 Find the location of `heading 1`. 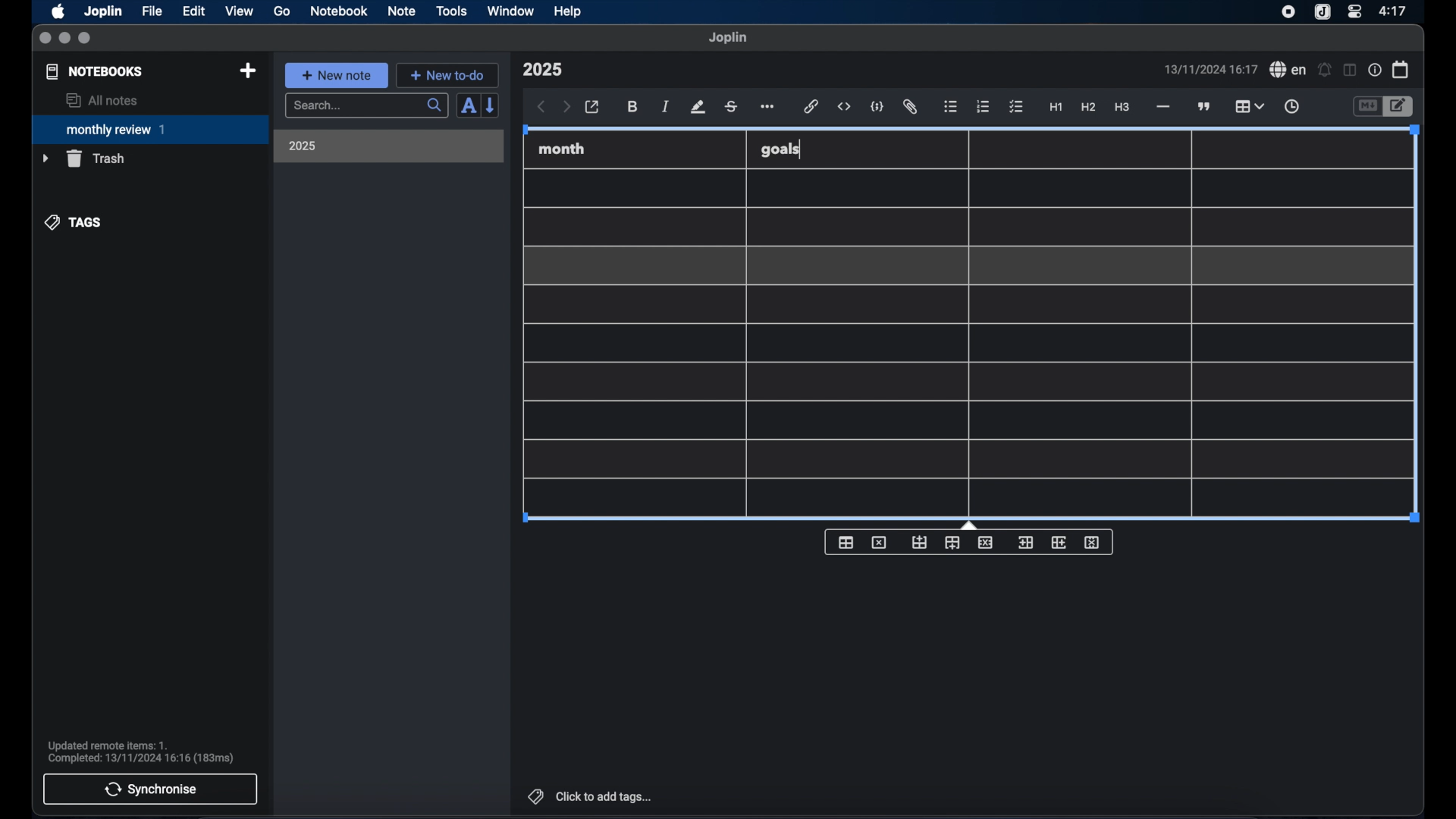

heading 1 is located at coordinates (1056, 108).